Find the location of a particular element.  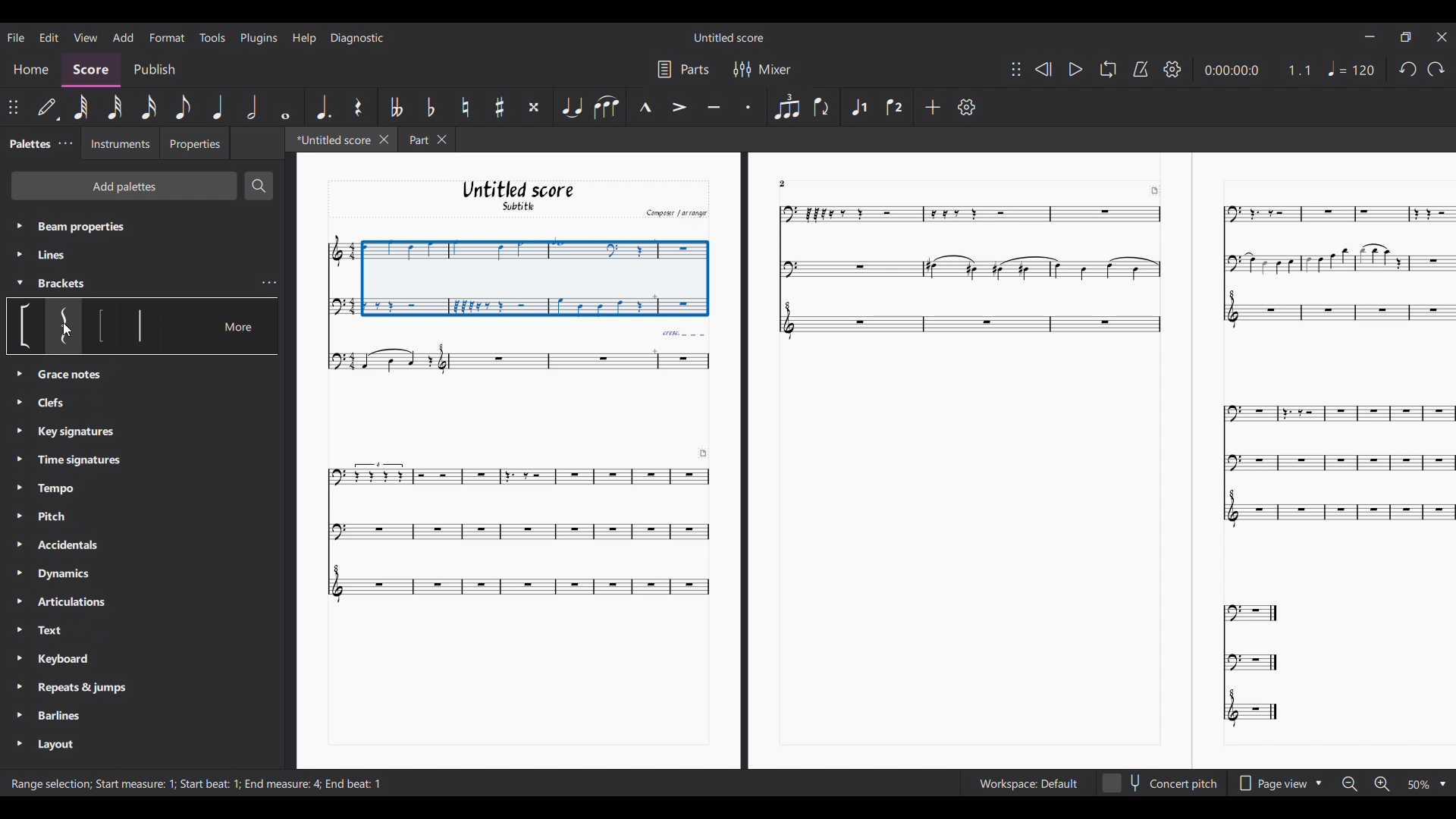

Toggle double flat is located at coordinates (397, 106).